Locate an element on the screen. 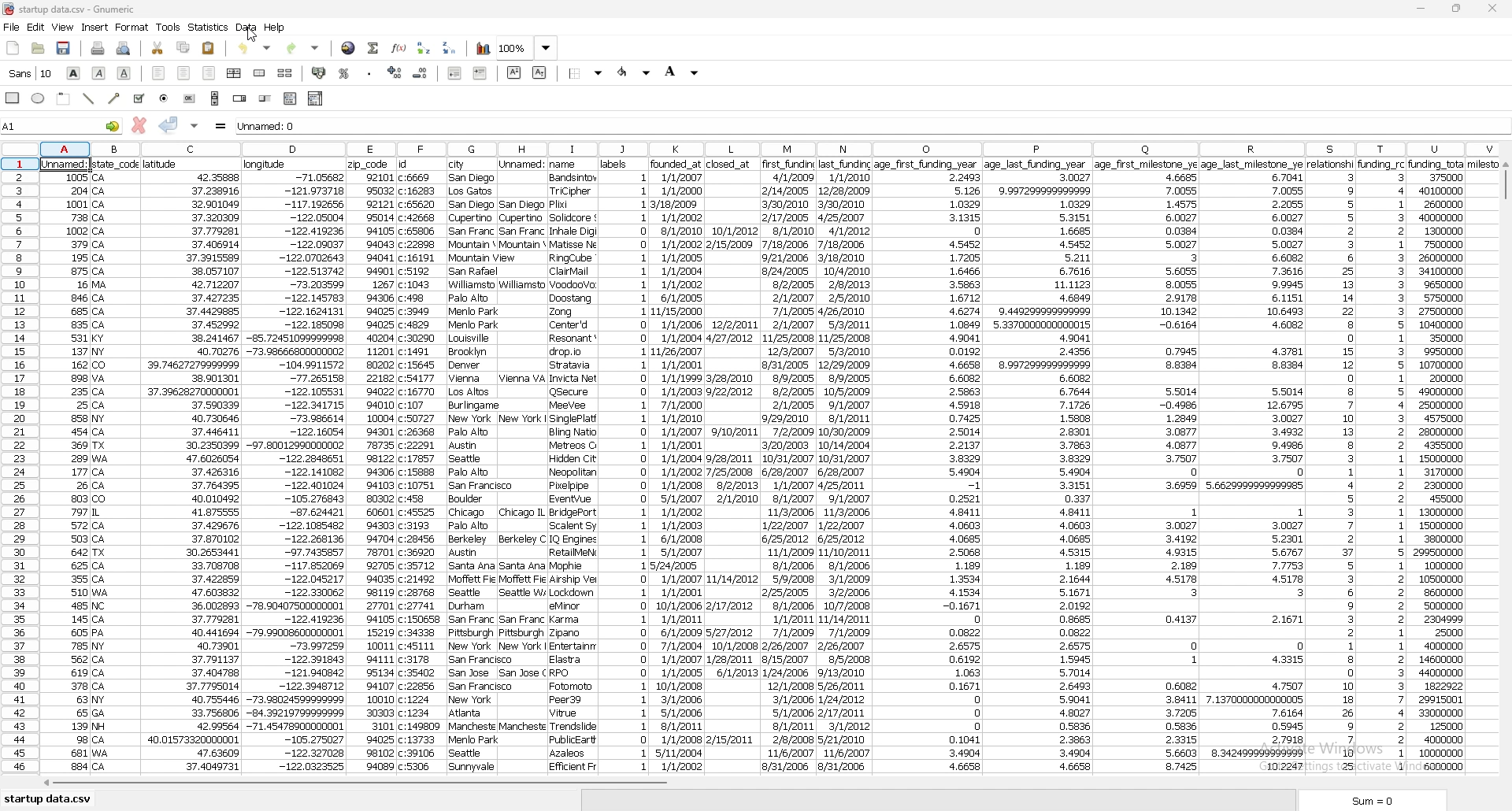 This screenshot has width=1512, height=811. summation is located at coordinates (373, 48).